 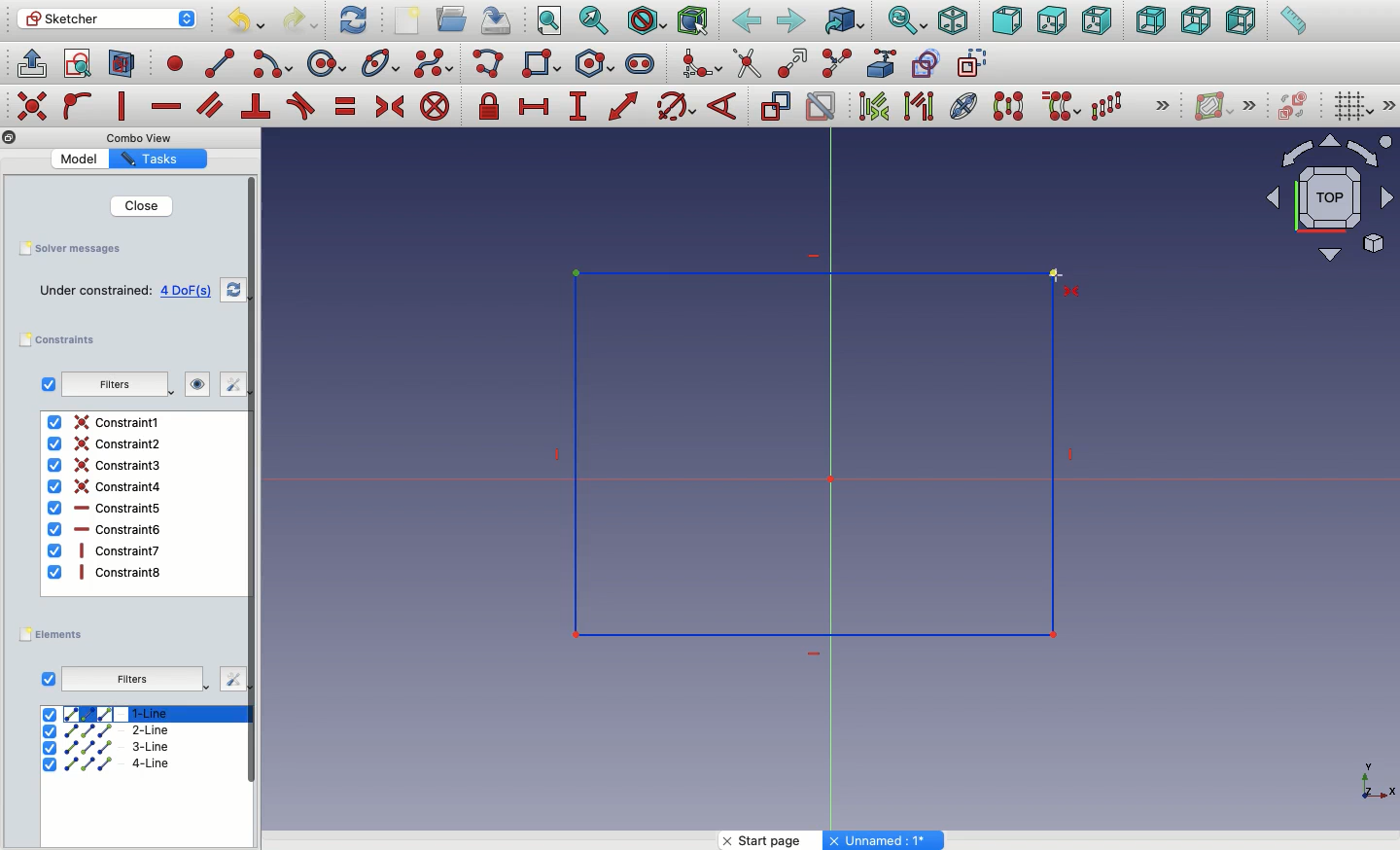 I want to click on External geometry, so click(x=880, y=63).